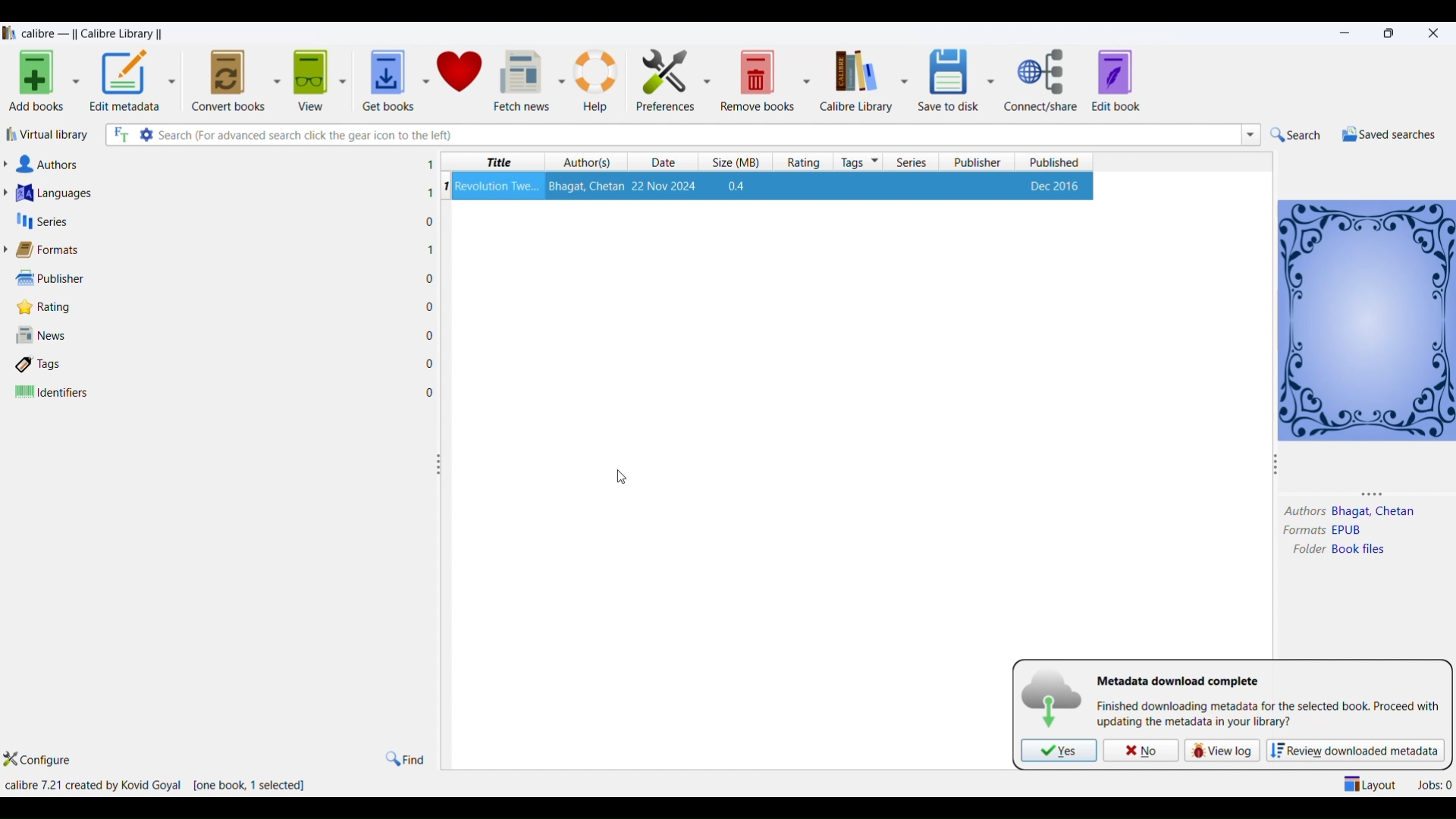 This screenshot has width=1456, height=819. What do you see at coordinates (1304, 512) in the screenshot?
I see `authors` at bounding box center [1304, 512].